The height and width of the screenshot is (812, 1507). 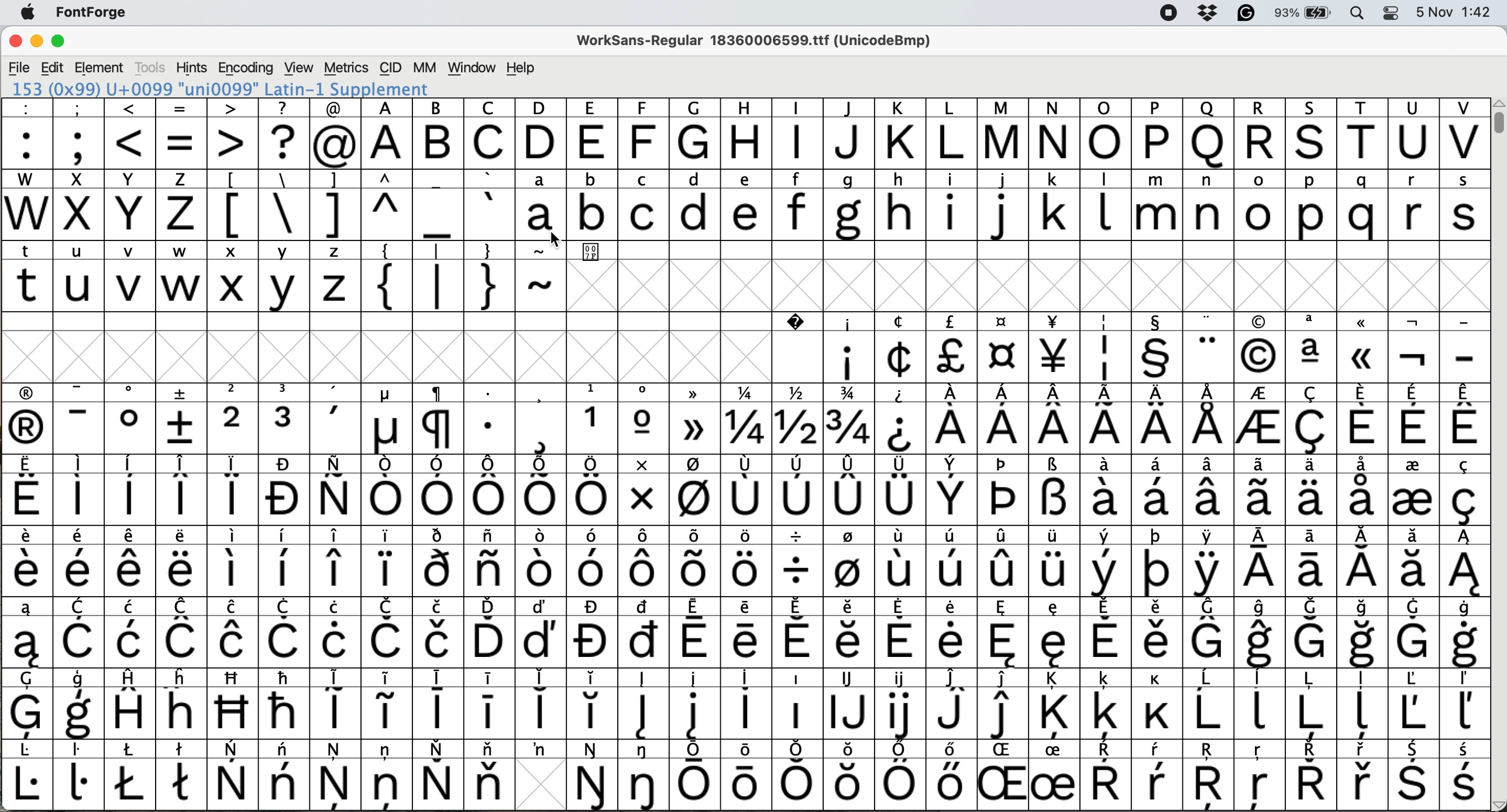 What do you see at coordinates (1002, 133) in the screenshot?
I see `M` at bounding box center [1002, 133].